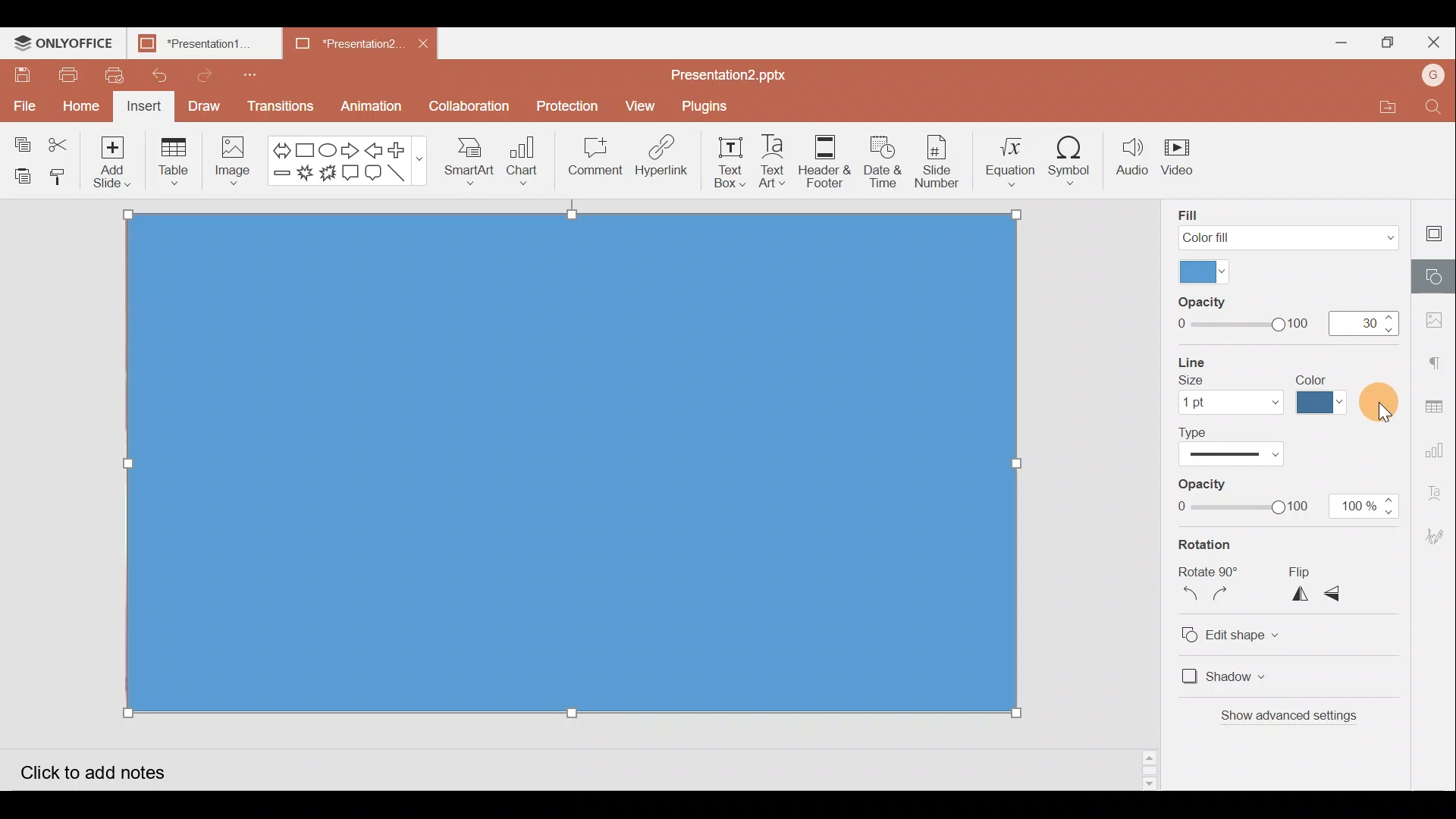  Describe the element at coordinates (1301, 596) in the screenshot. I see `Flip horizontally` at that location.